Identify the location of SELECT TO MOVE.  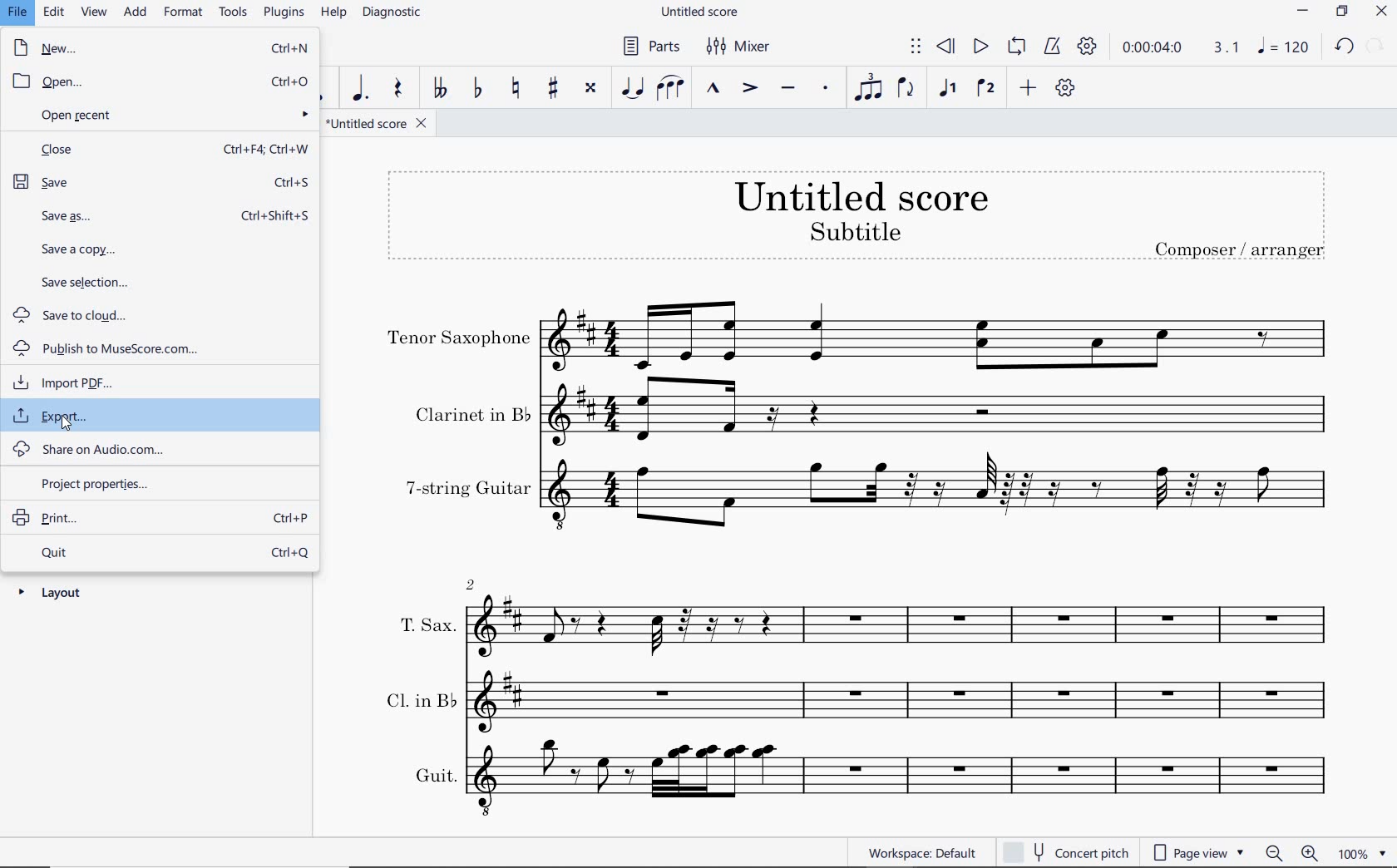
(915, 46).